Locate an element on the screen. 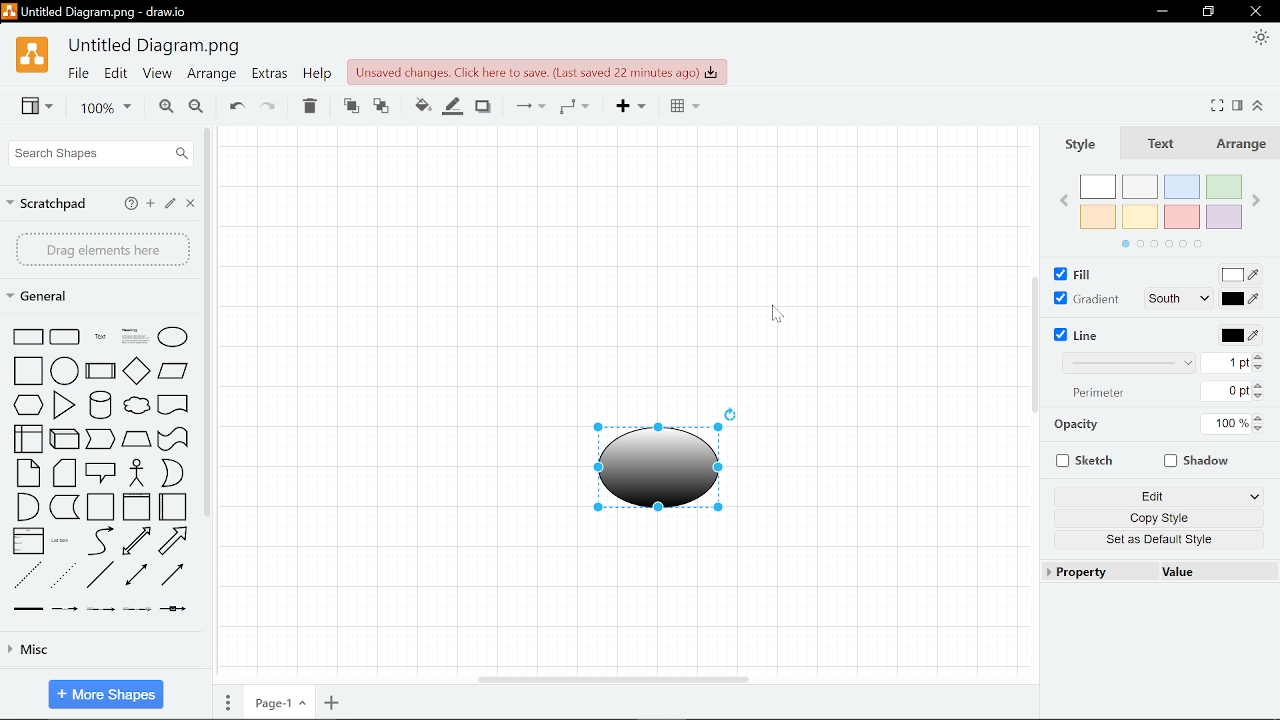 This screenshot has height=720, width=1280. Property is located at coordinates (1097, 572).